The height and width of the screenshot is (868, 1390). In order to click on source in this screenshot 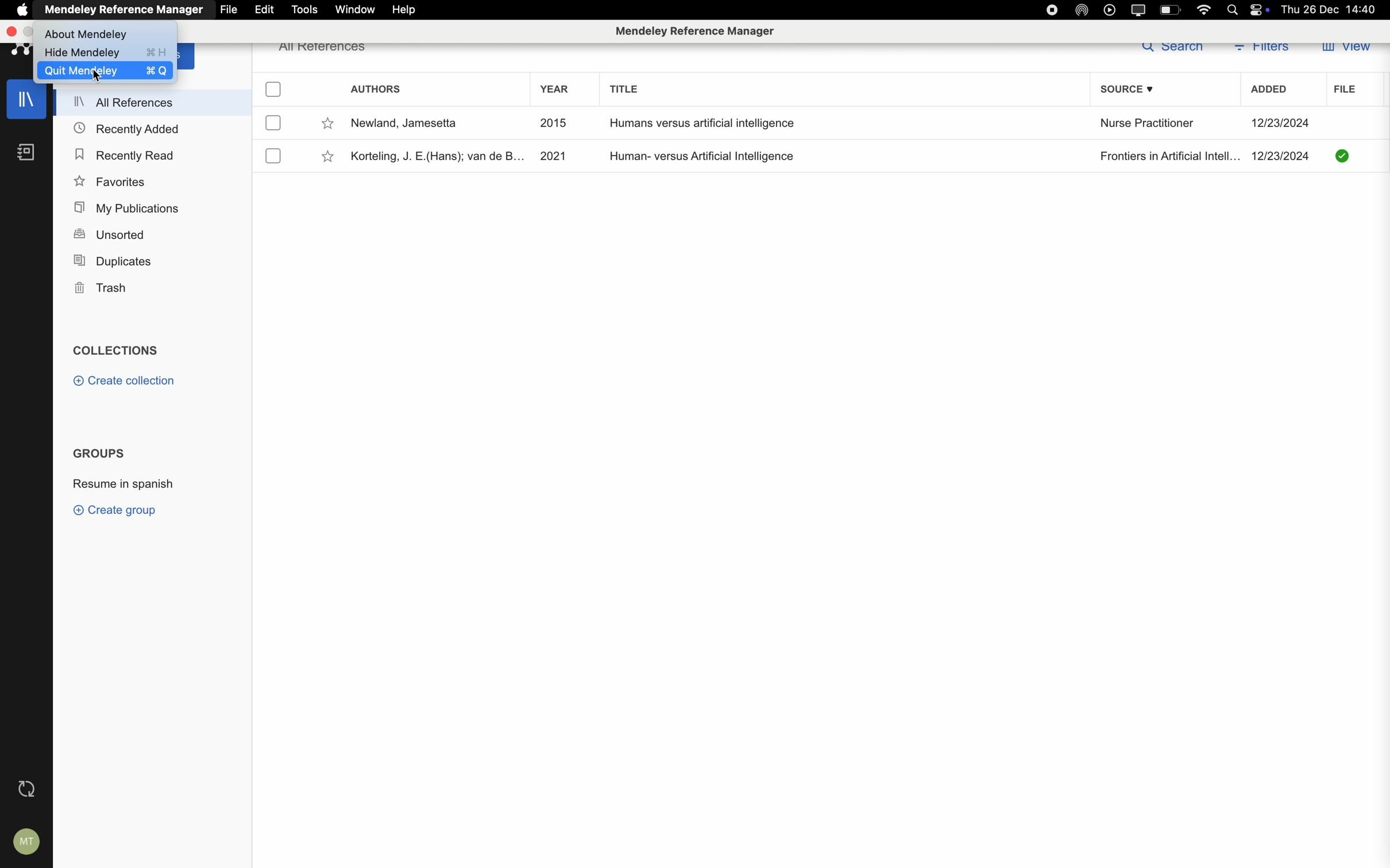, I will do `click(1129, 90)`.